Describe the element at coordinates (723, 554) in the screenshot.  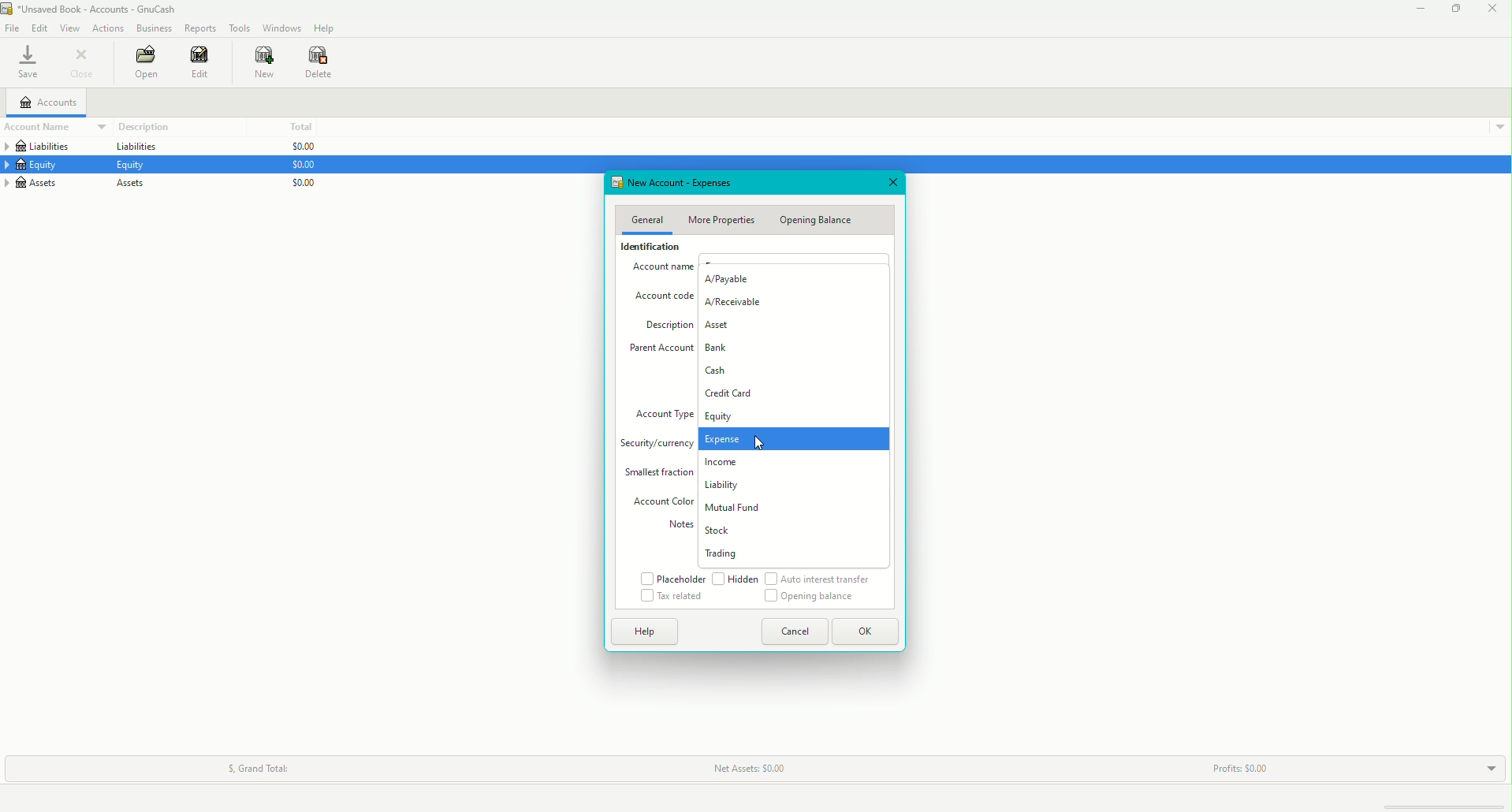
I see `Trading` at that location.